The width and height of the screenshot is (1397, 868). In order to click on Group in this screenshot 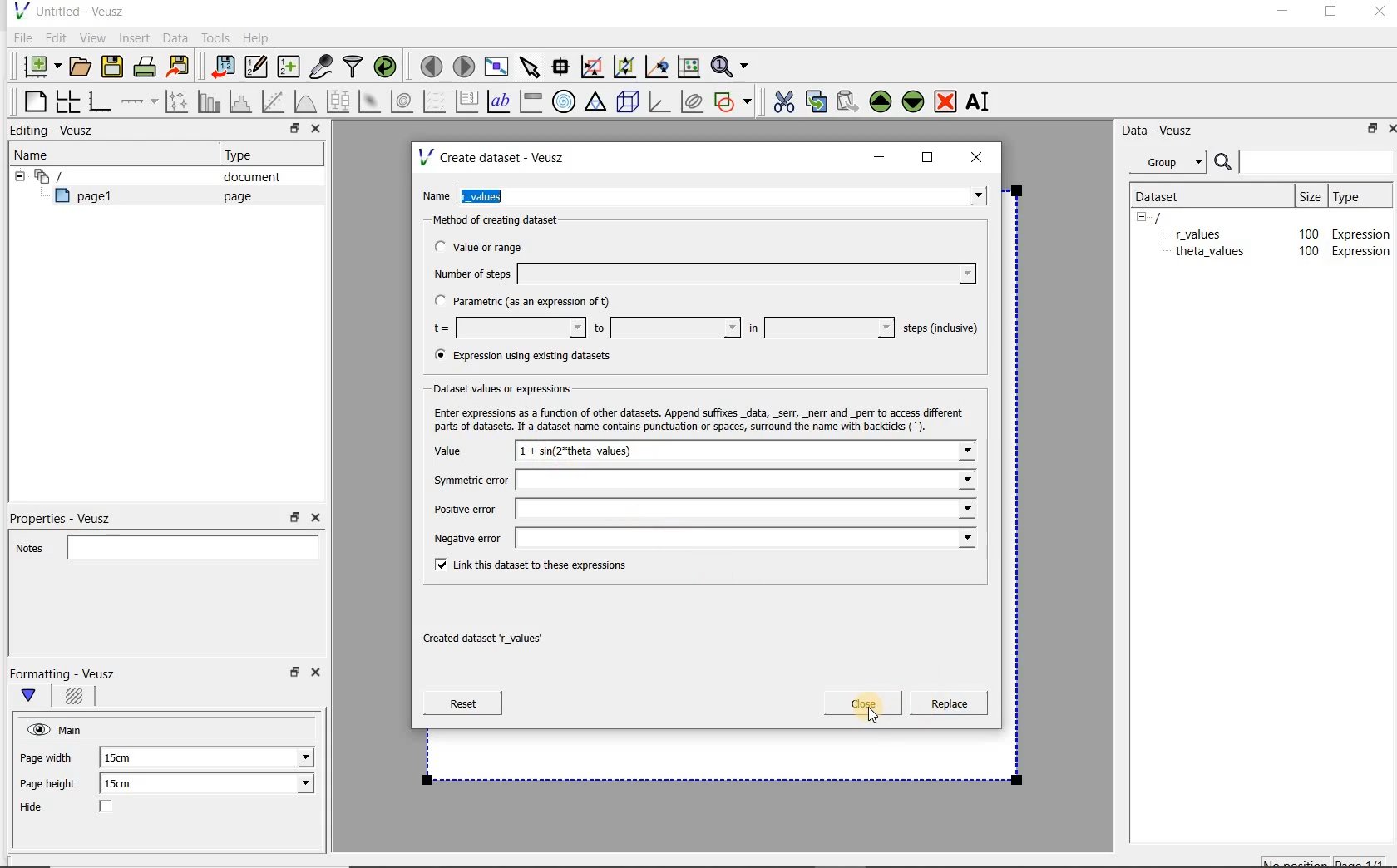, I will do `click(1172, 165)`.